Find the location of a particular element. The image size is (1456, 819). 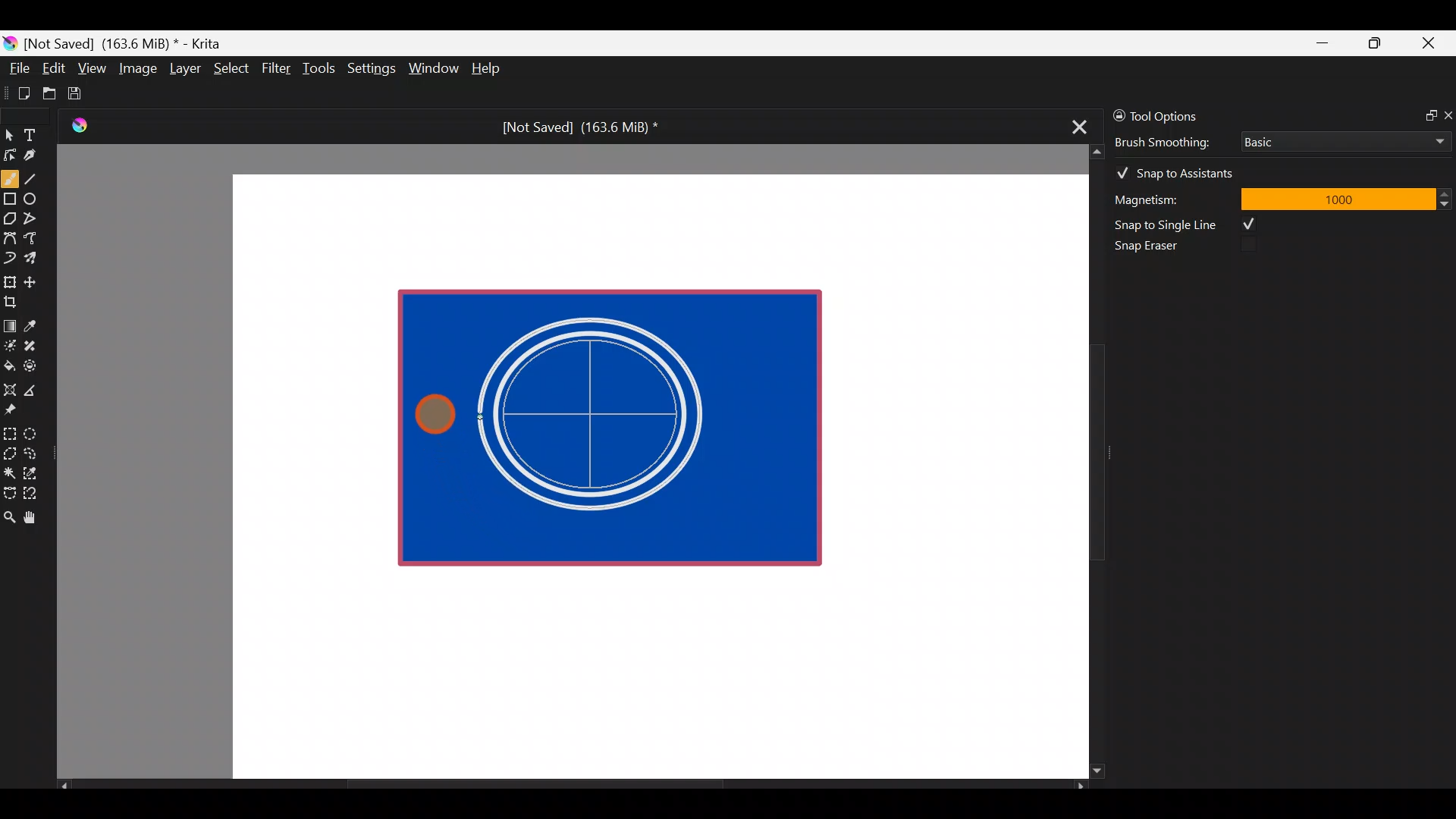

Krita Logo is located at coordinates (77, 125).